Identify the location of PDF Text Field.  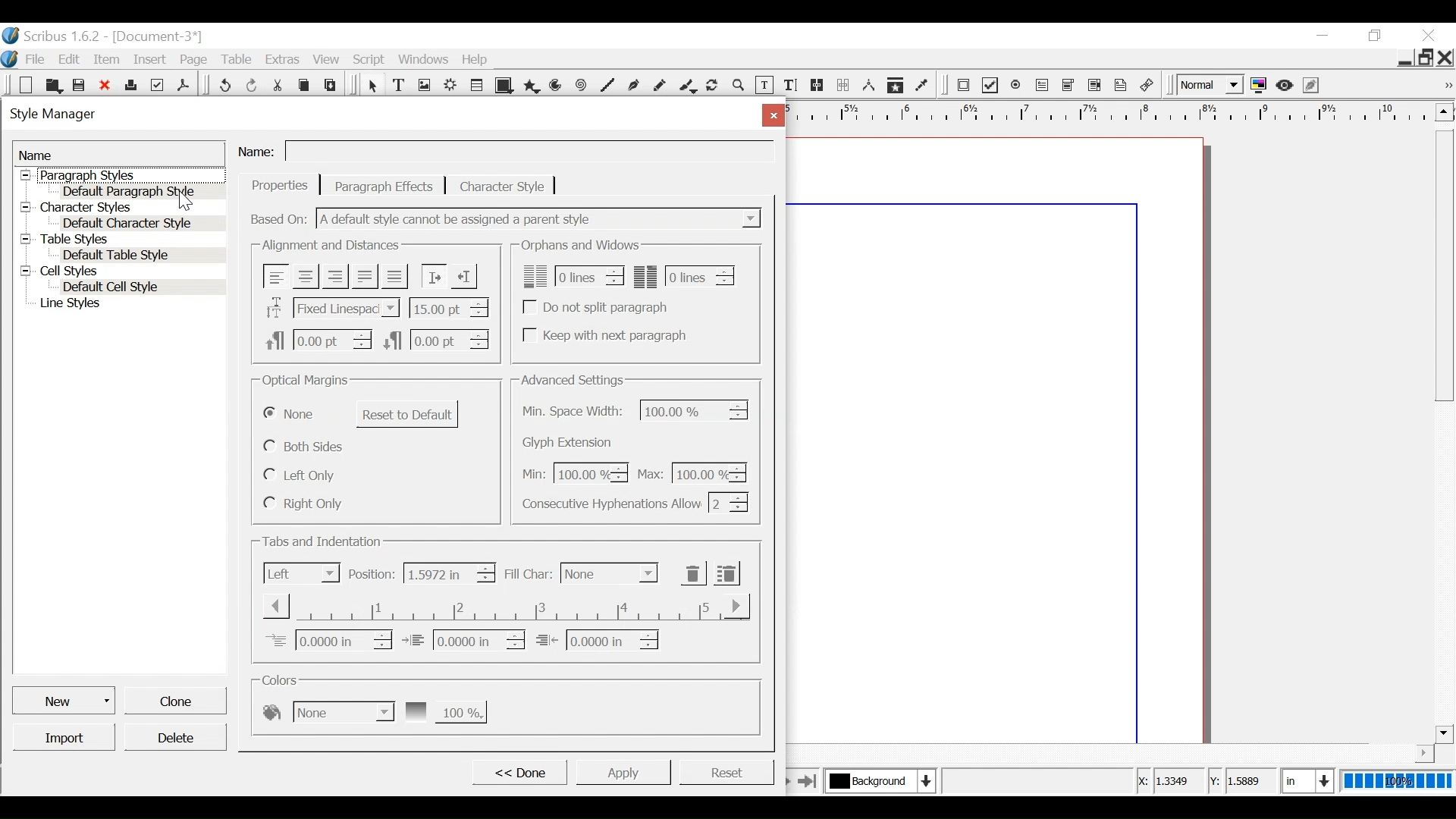
(1043, 86).